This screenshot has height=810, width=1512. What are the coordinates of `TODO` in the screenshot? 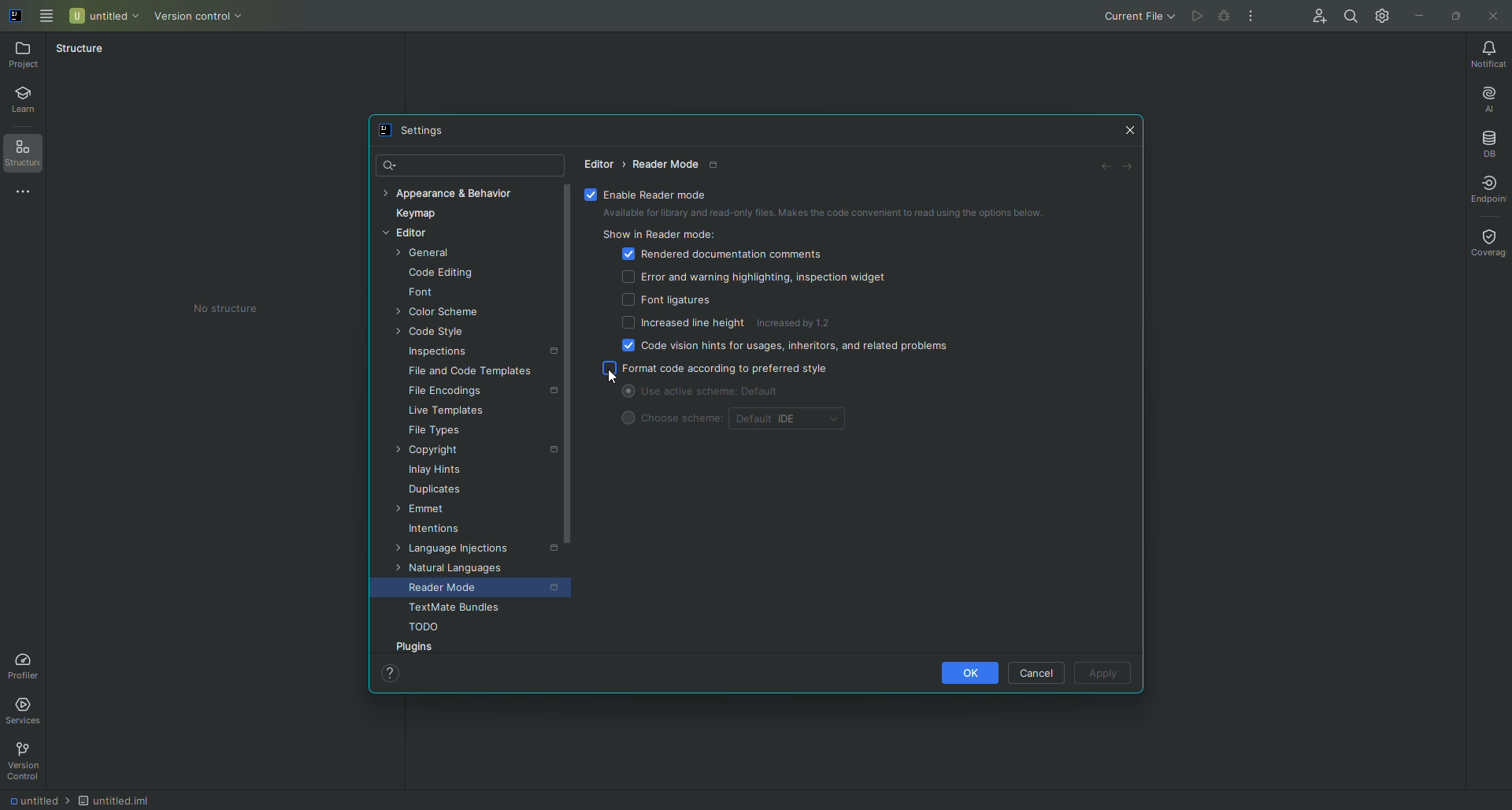 It's located at (418, 628).